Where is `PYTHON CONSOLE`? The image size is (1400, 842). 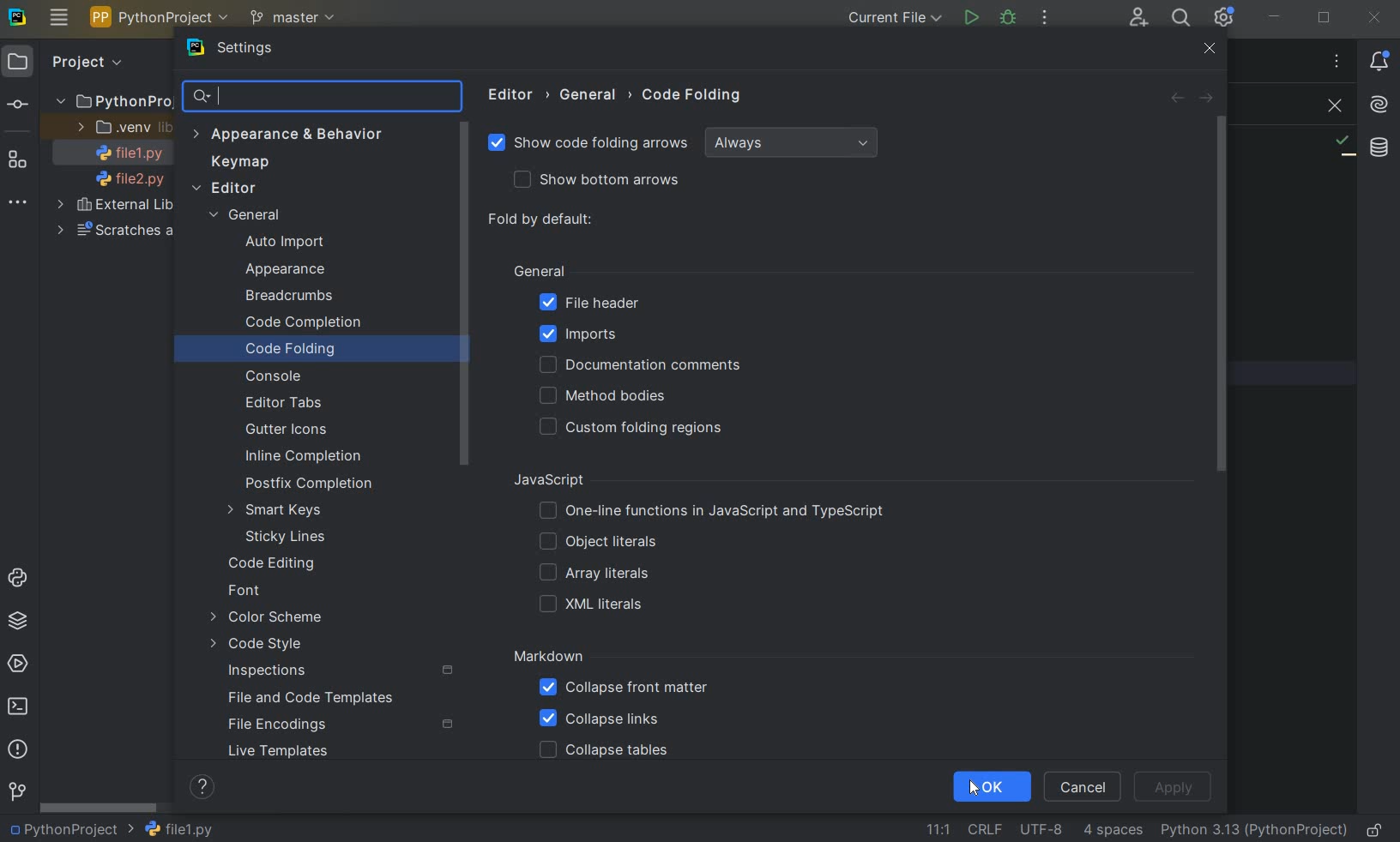
PYTHON CONSOLE is located at coordinates (20, 574).